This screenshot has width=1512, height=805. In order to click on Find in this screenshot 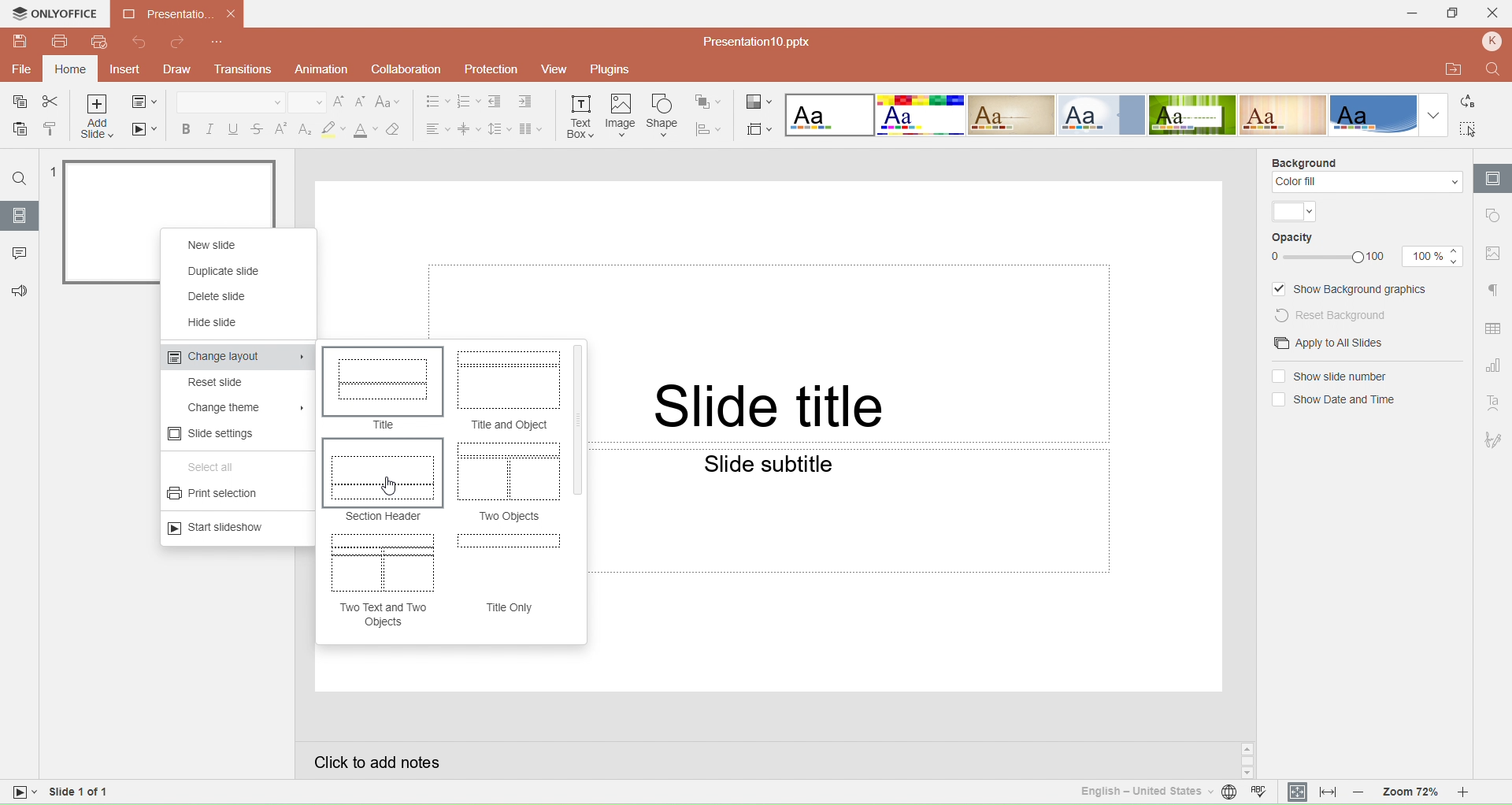, I will do `click(1492, 69)`.